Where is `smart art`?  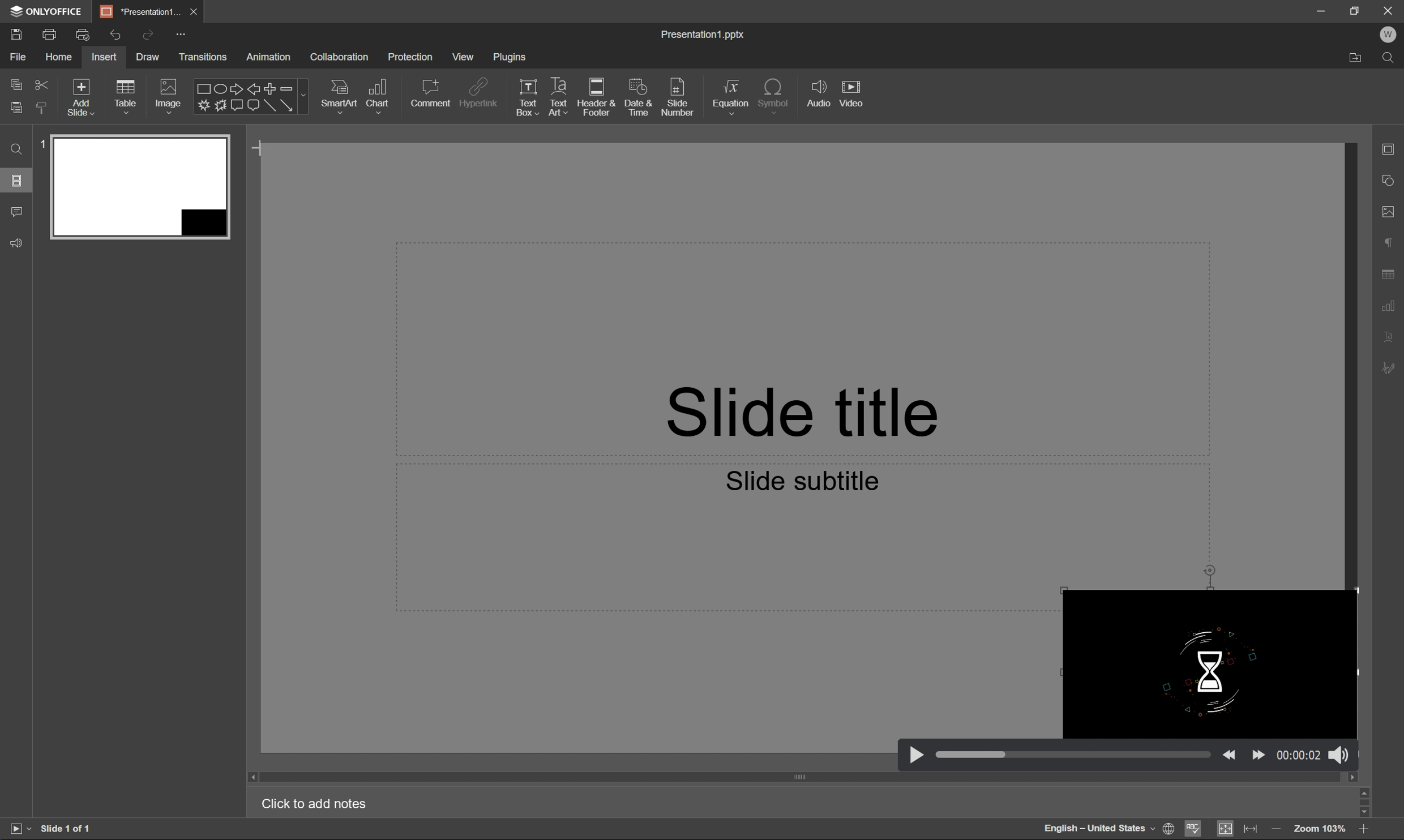
smart art is located at coordinates (341, 98).